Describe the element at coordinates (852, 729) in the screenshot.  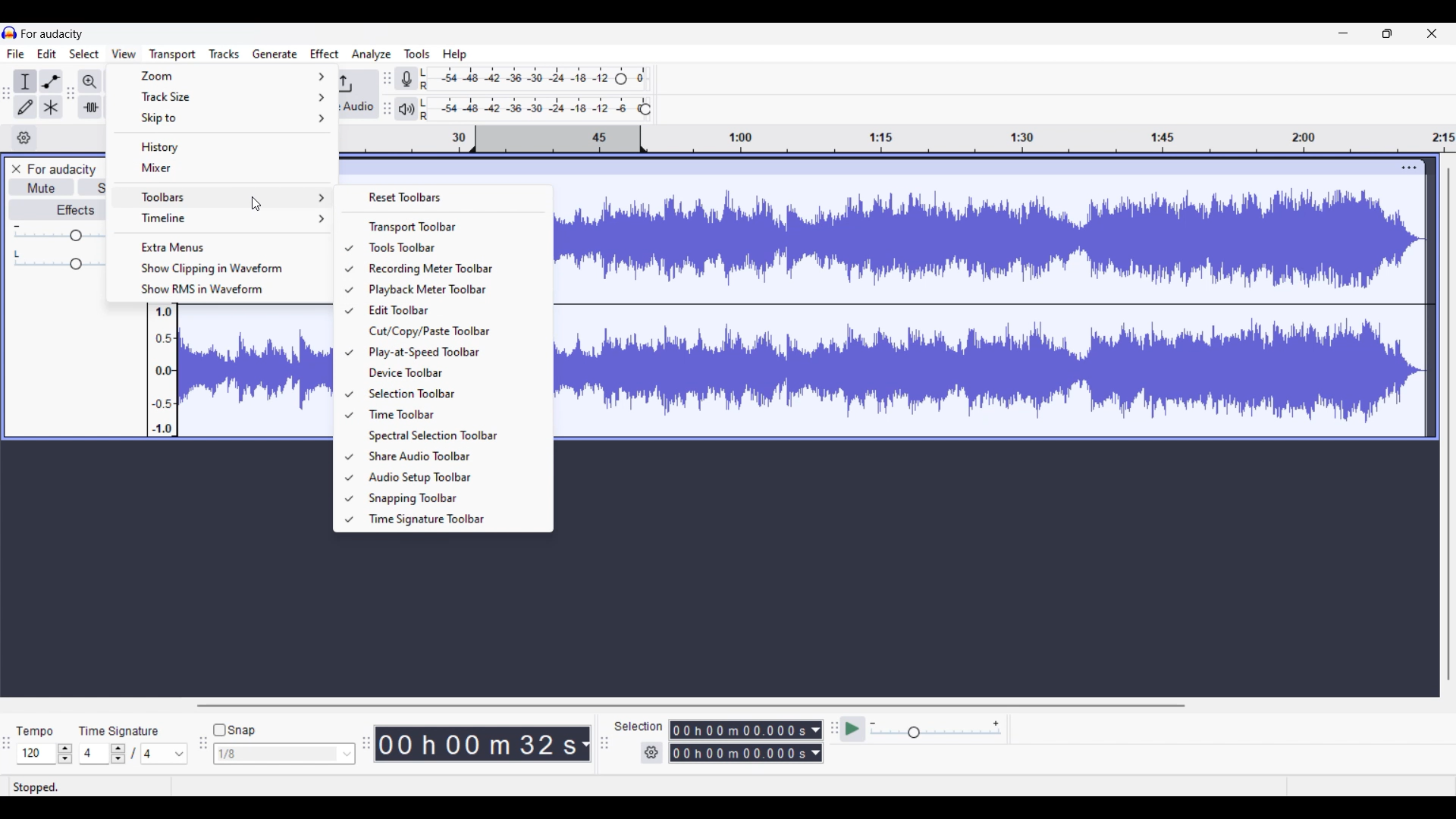
I see `Play at speed/Play at speed once` at that location.